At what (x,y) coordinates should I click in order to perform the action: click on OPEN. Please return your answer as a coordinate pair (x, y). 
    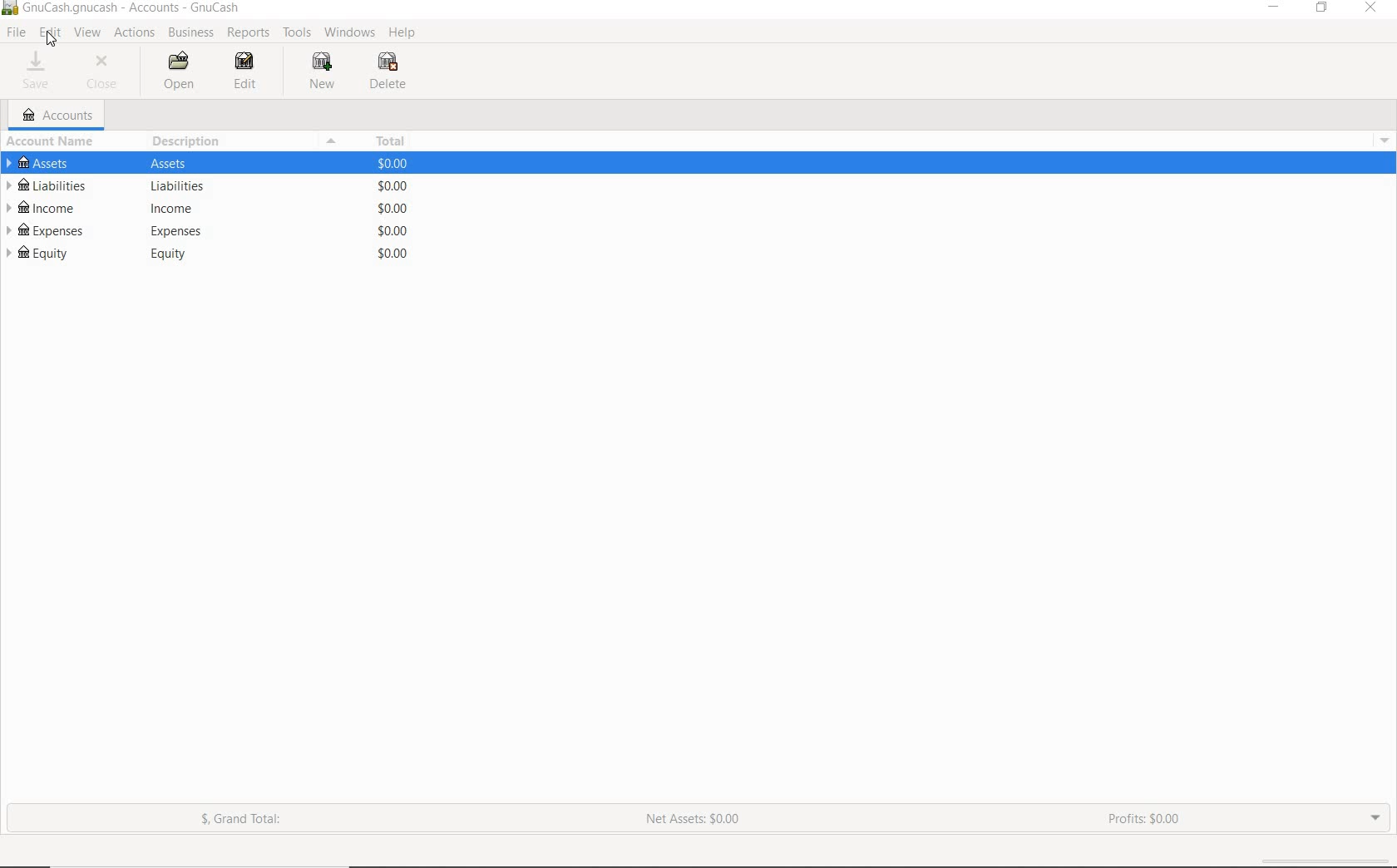
    Looking at the image, I should click on (180, 72).